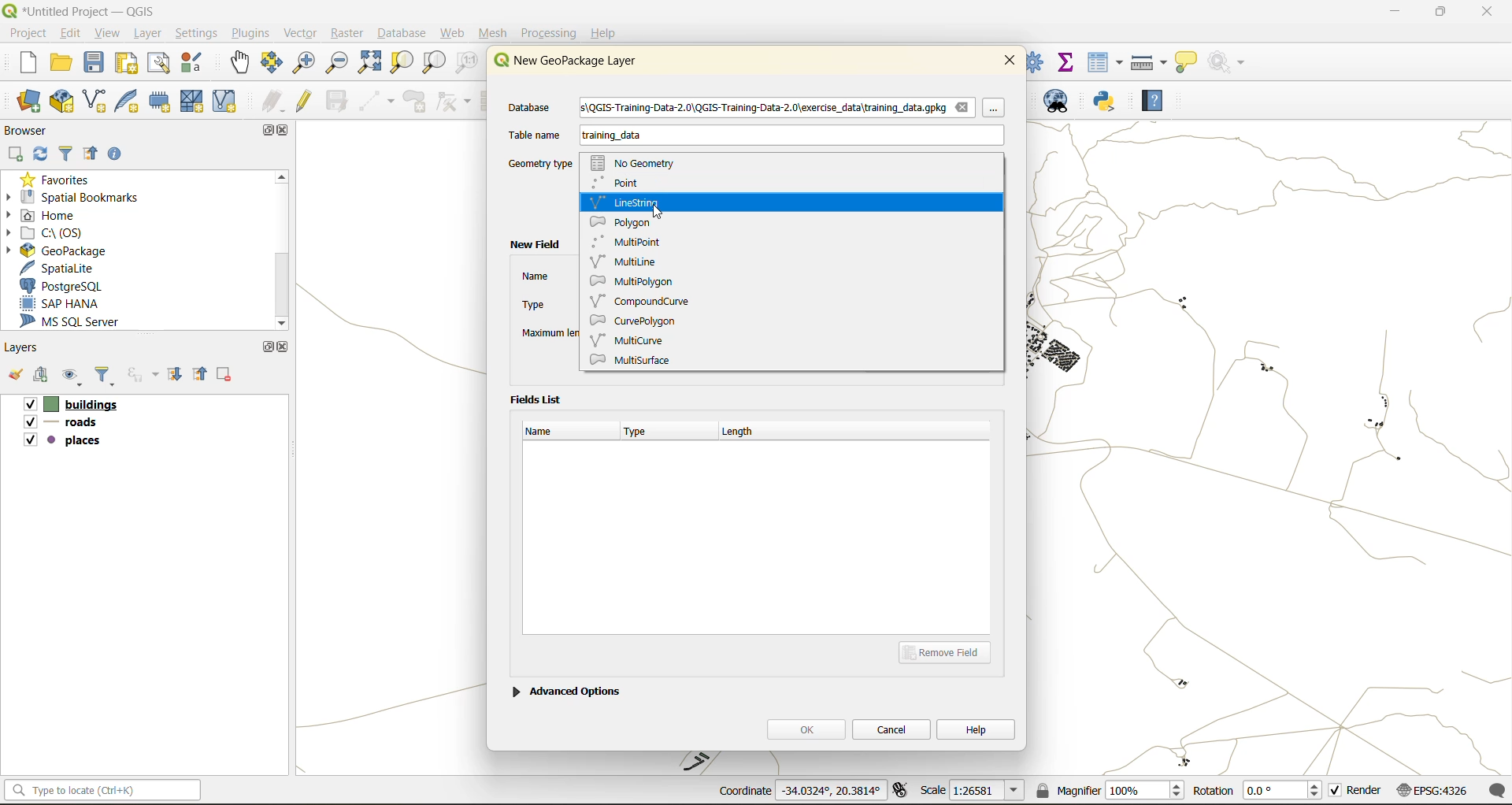 The width and height of the screenshot is (1512, 805). What do you see at coordinates (950, 651) in the screenshot?
I see `remove field` at bounding box center [950, 651].